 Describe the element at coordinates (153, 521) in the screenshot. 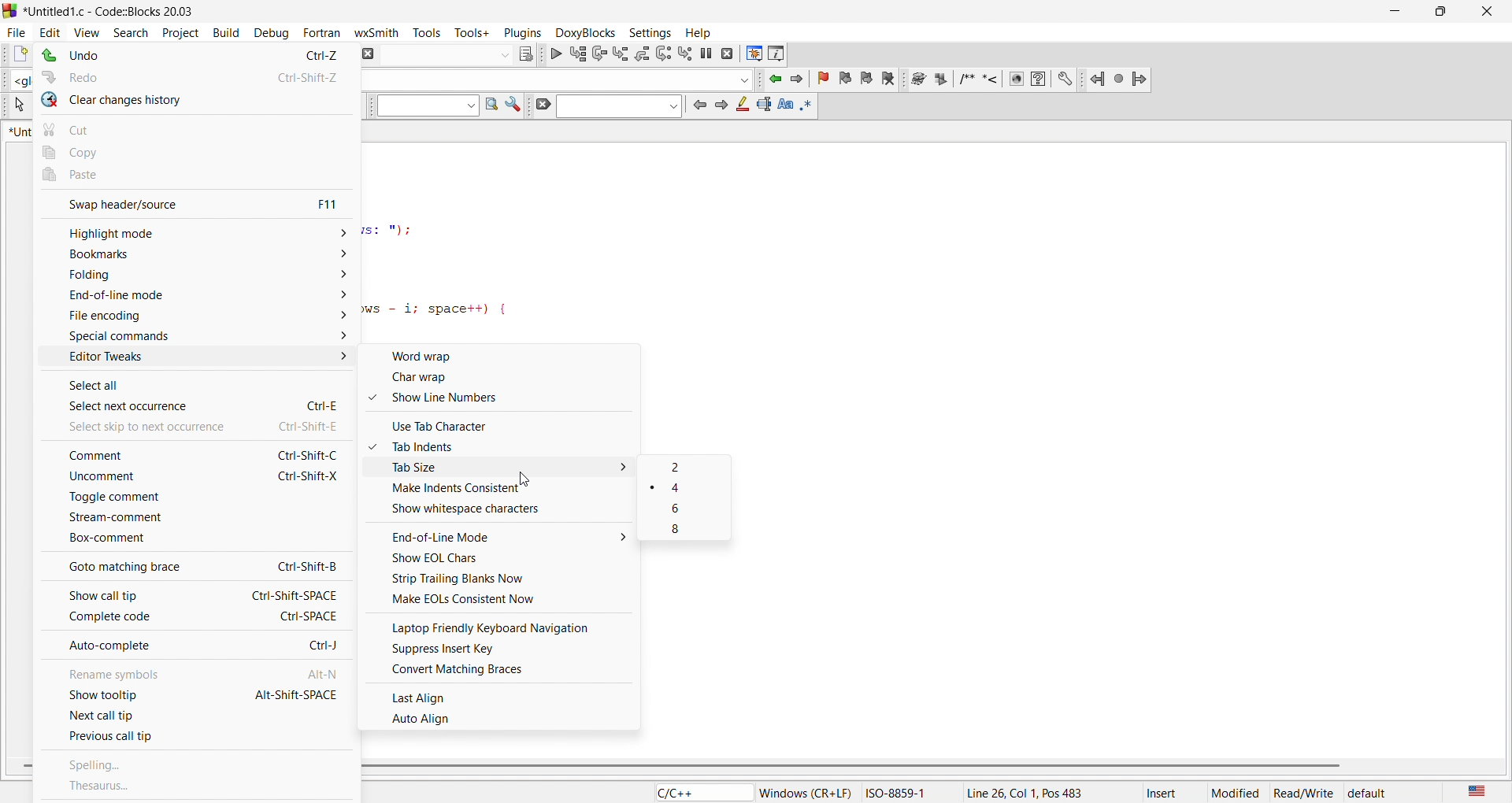

I see `stream comment ` at that location.